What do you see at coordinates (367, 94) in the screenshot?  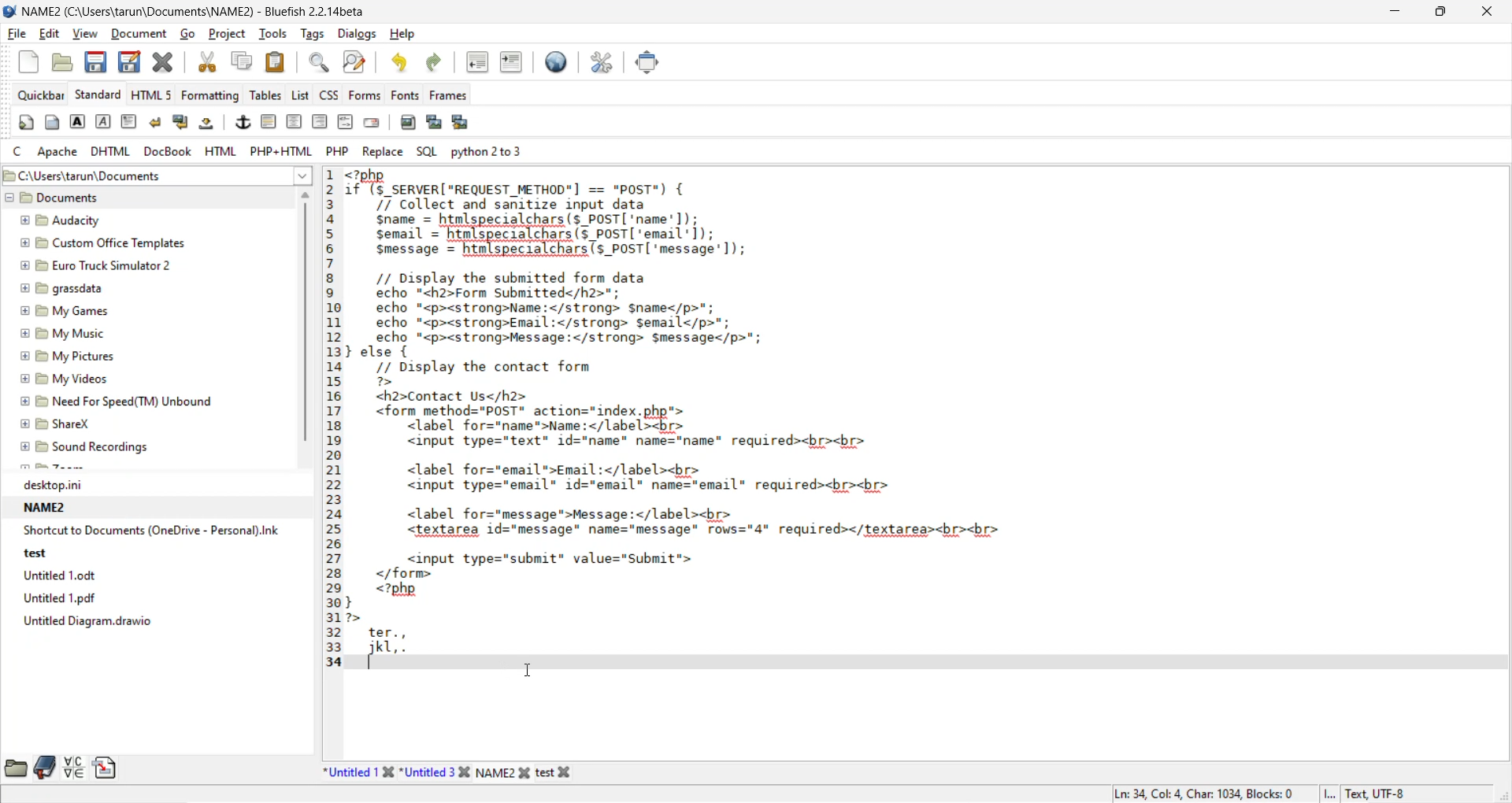 I see `forms` at bounding box center [367, 94].